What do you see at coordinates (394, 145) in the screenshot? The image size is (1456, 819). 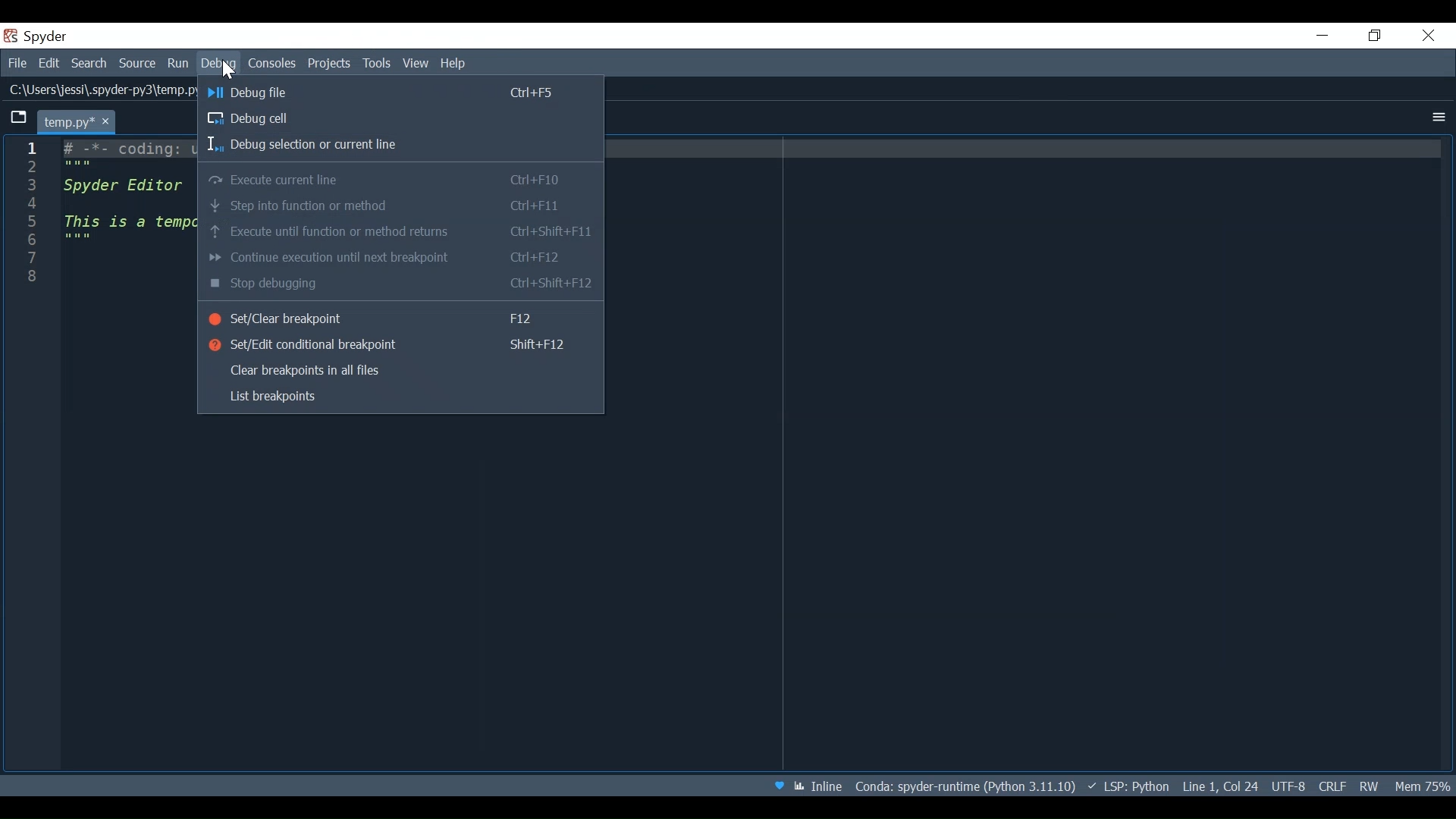 I see `Debug selection or current line` at bounding box center [394, 145].